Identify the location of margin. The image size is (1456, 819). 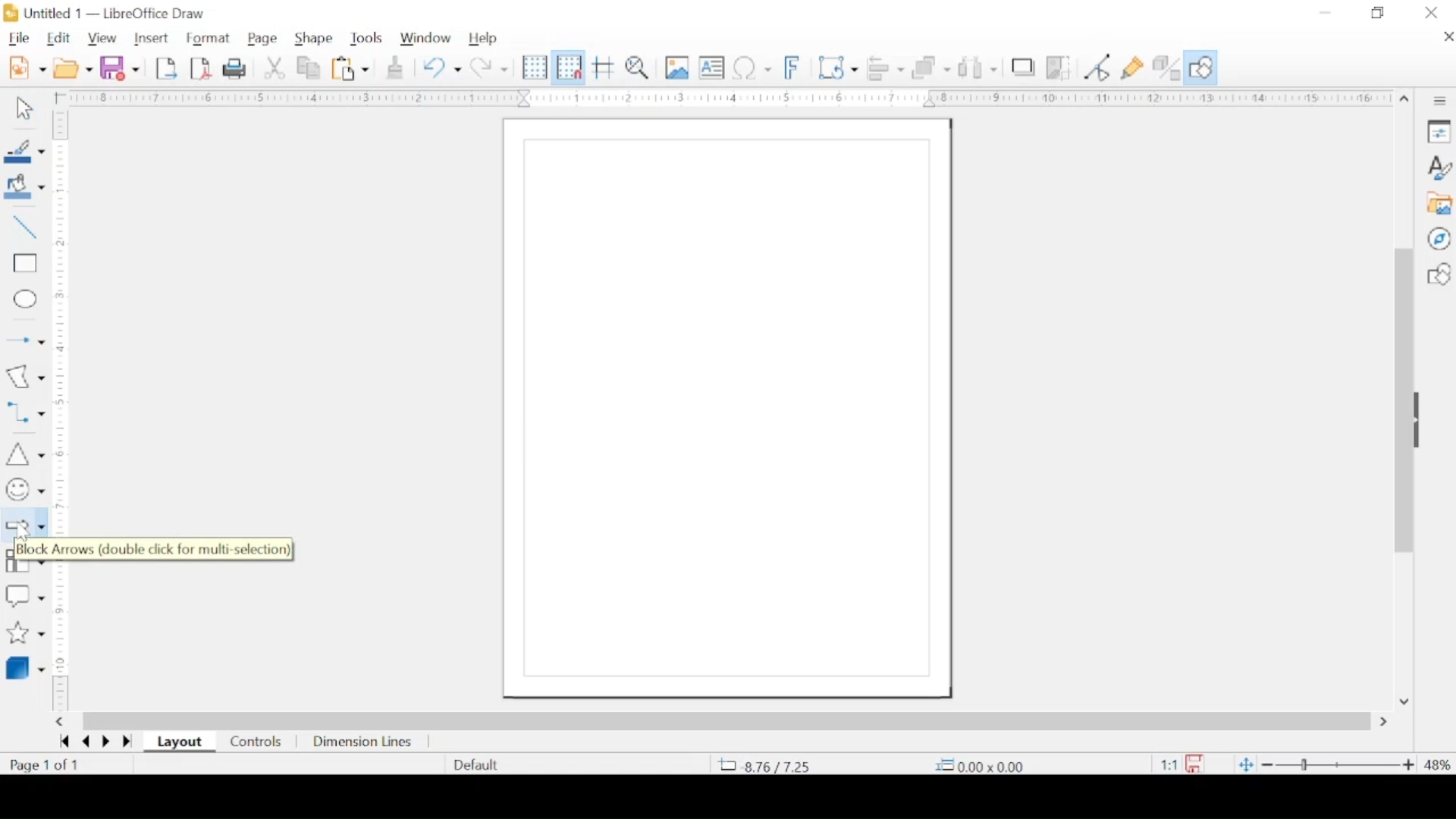
(64, 325).